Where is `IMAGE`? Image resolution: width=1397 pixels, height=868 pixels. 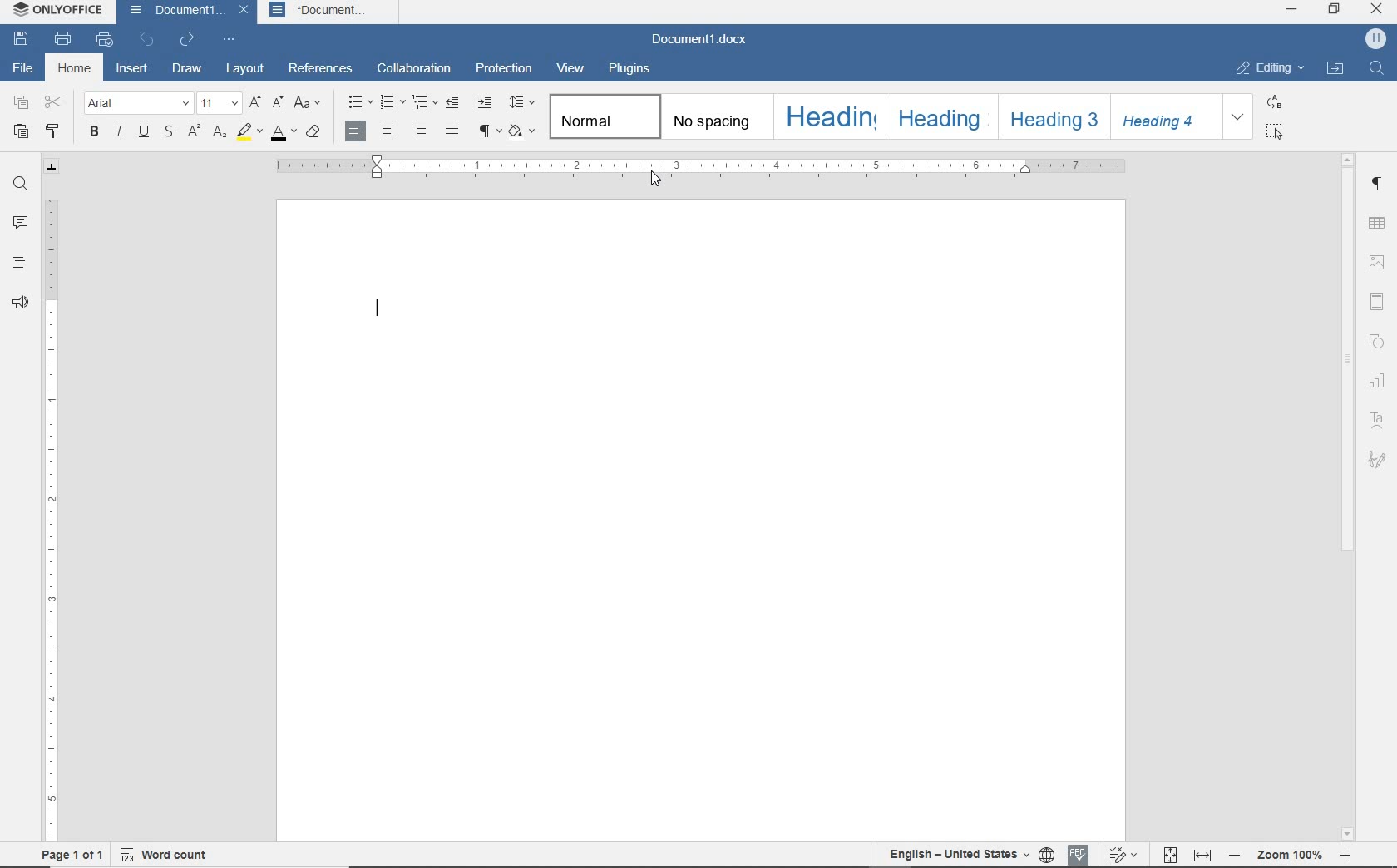
IMAGE is located at coordinates (1377, 263).